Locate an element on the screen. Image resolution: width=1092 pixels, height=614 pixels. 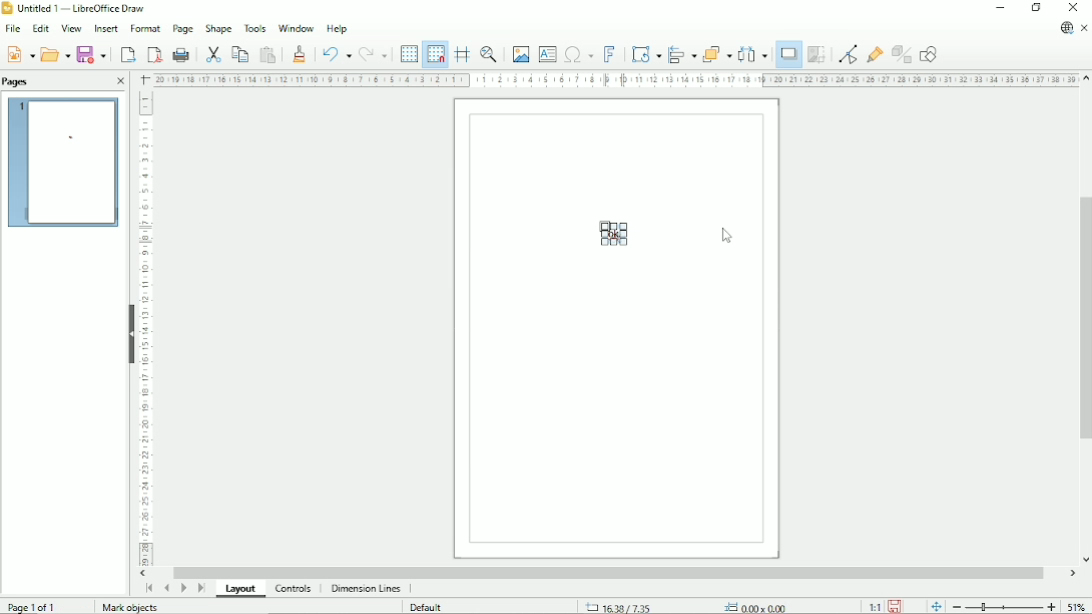
Horizontal scroll button is located at coordinates (1071, 573).